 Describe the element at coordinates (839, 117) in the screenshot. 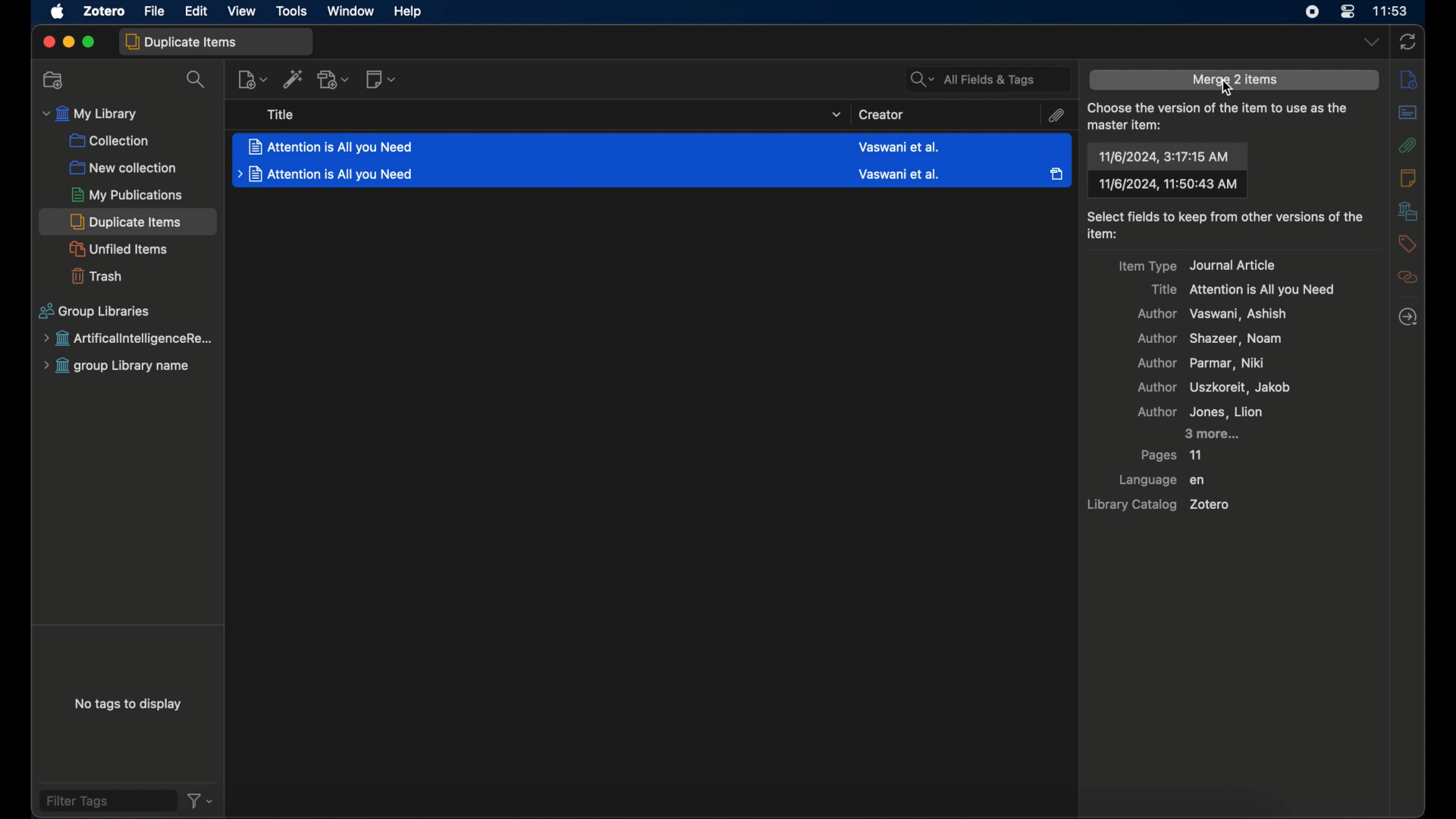

I see `dropdown` at that location.